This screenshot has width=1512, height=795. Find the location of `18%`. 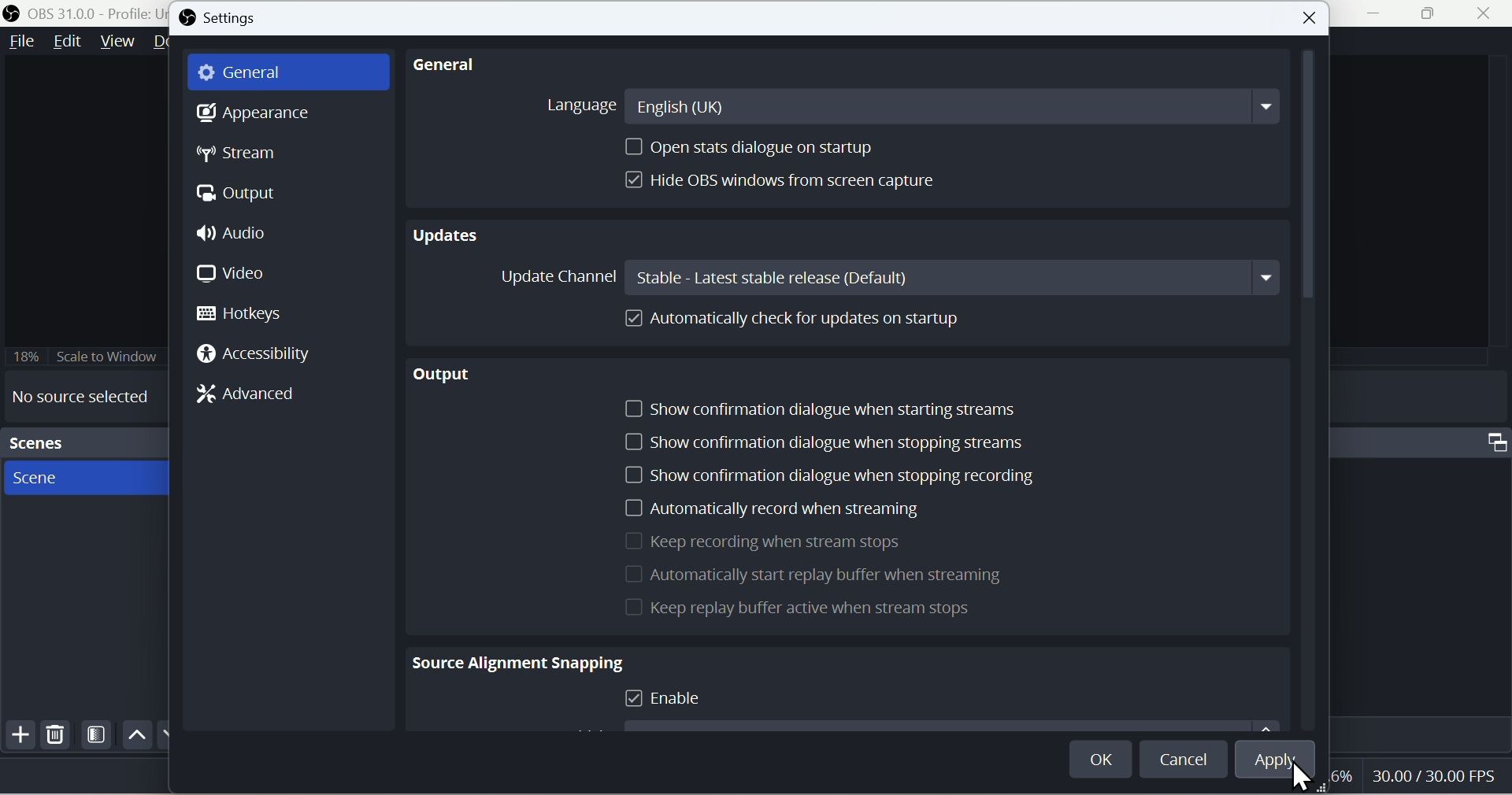

18% is located at coordinates (25, 356).